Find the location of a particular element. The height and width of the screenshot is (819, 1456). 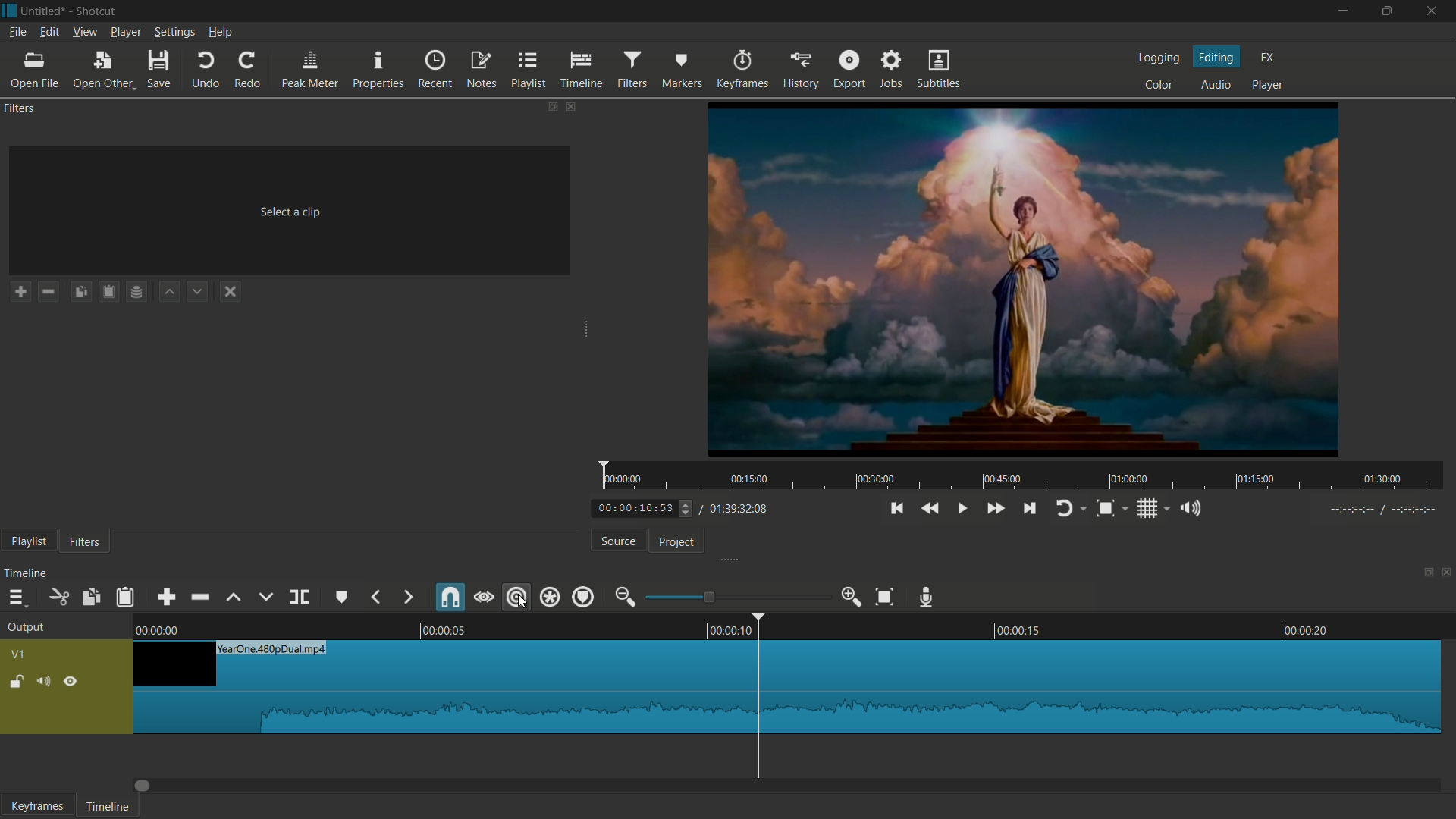

v1 is located at coordinates (20, 654).